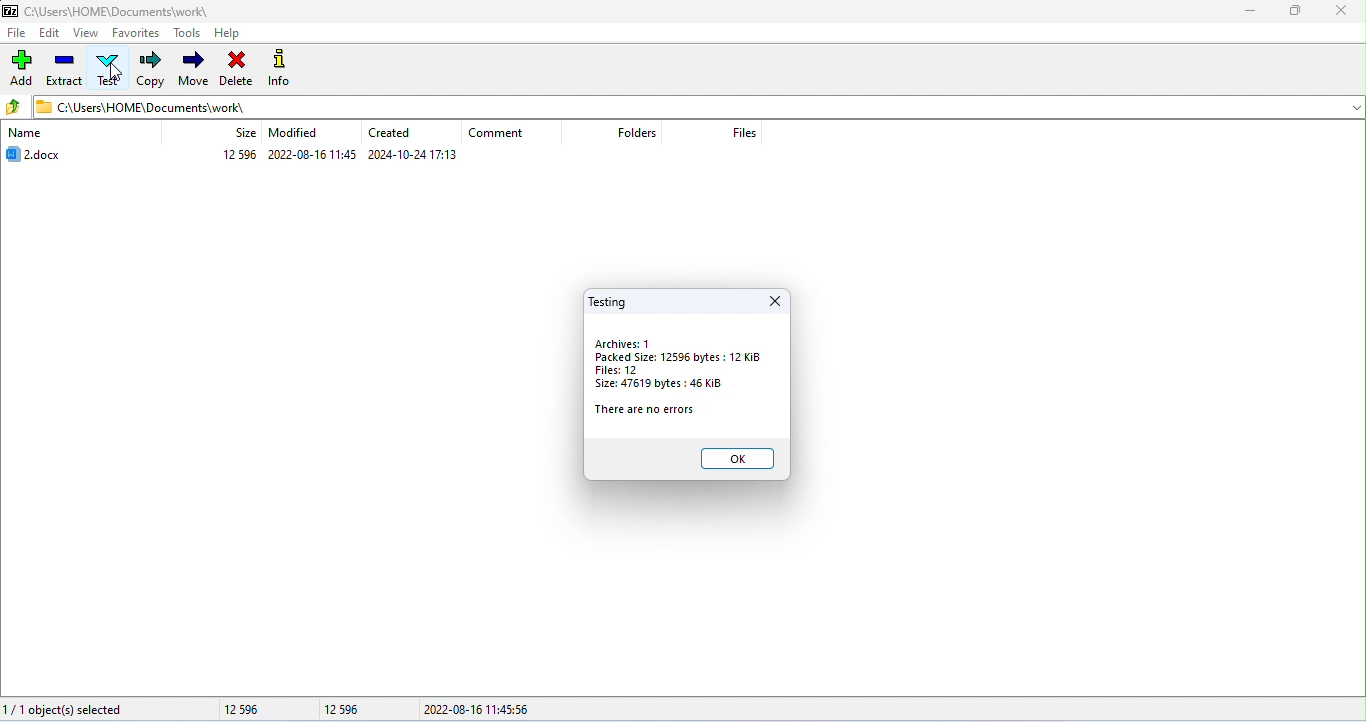  What do you see at coordinates (135, 33) in the screenshot?
I see `favorite` at bounding box center [135, 33].